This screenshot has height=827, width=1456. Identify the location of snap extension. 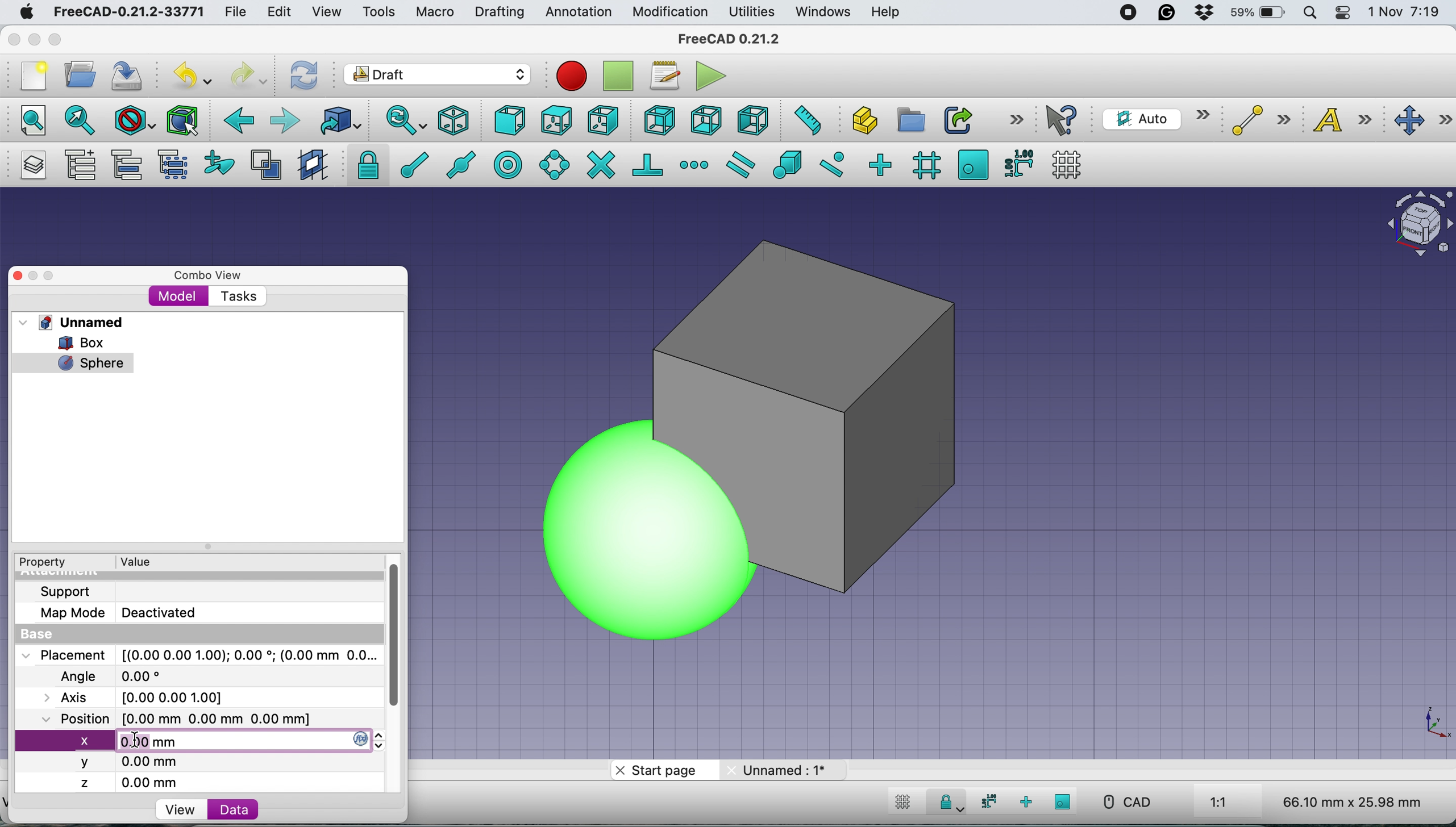
(696, 165).